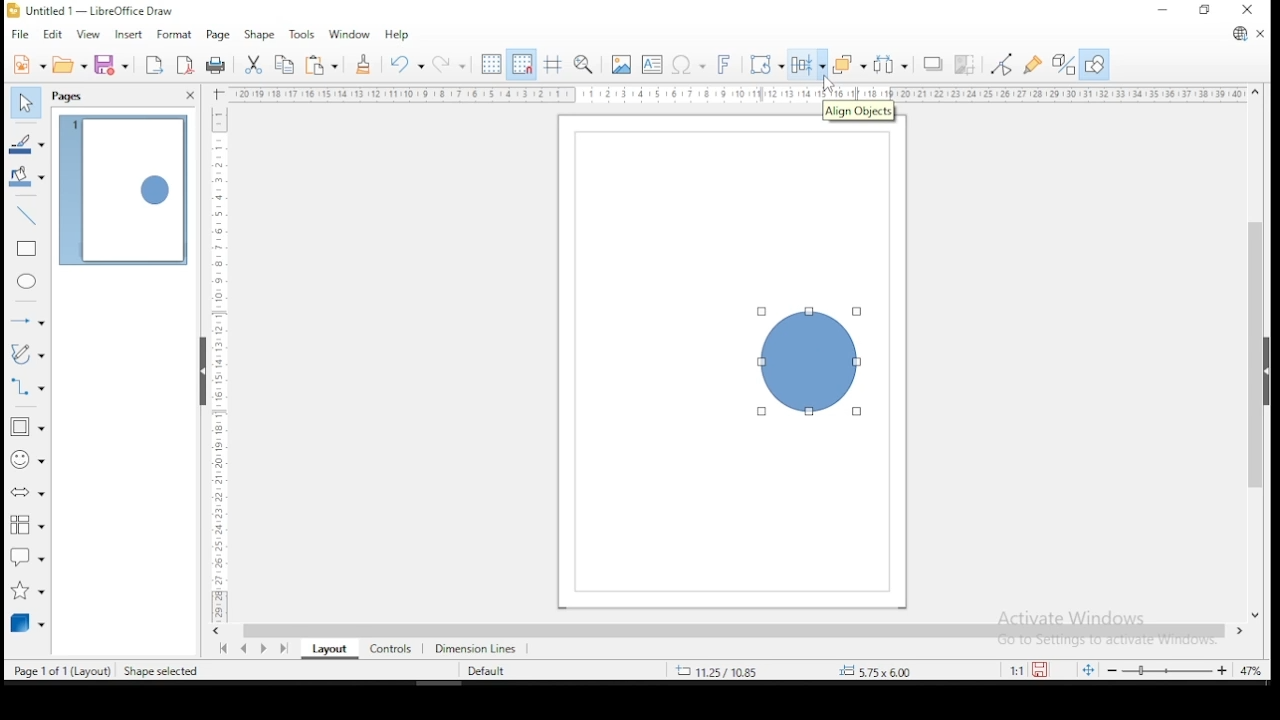 Image resolution: width=1280 pixels, height=720 pixels. I want to click on fir document to window, so click(1085, 669).